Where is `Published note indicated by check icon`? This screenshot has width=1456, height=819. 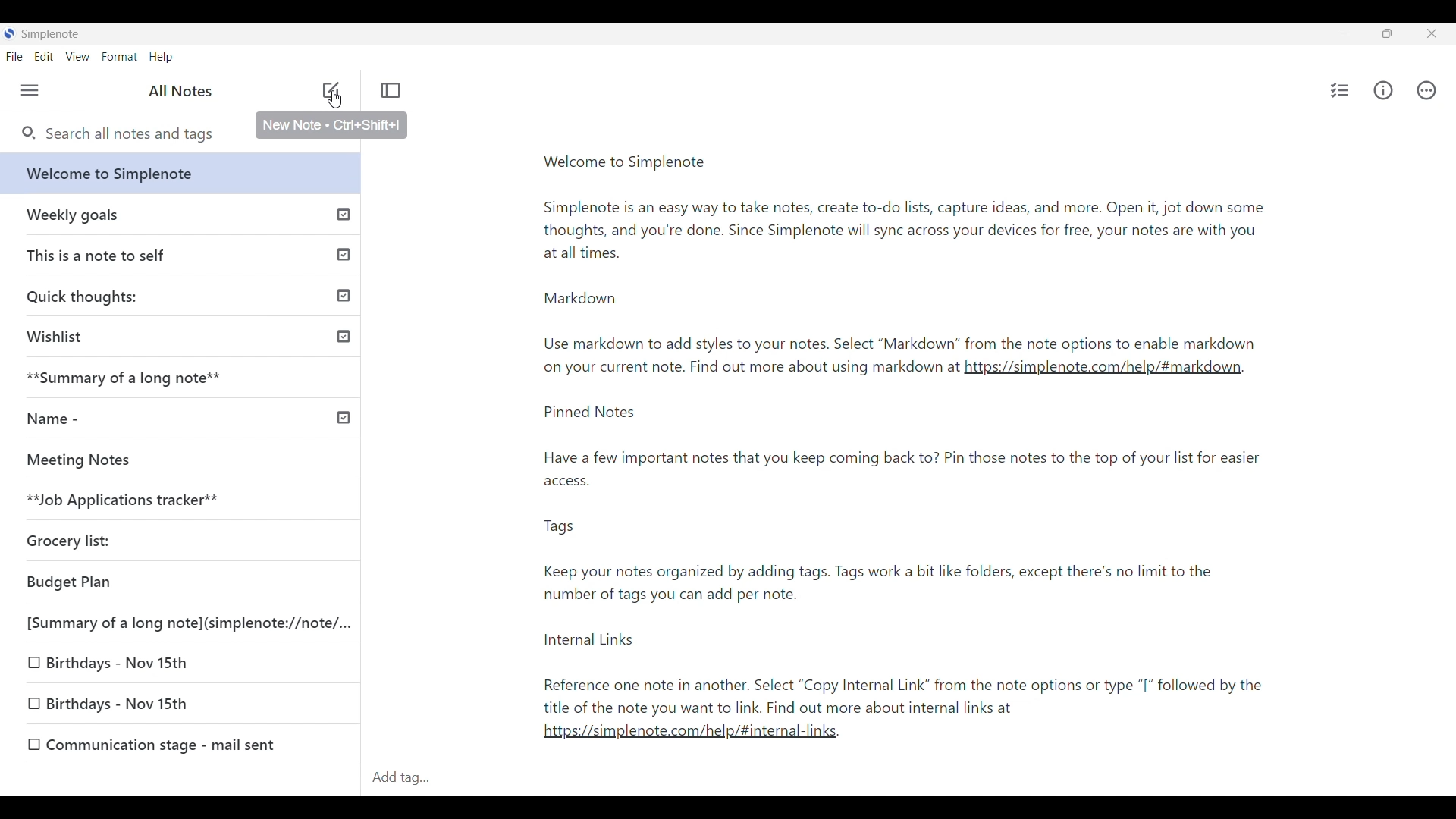
Published note indicated by check icon is located at coordinates (185, 293).